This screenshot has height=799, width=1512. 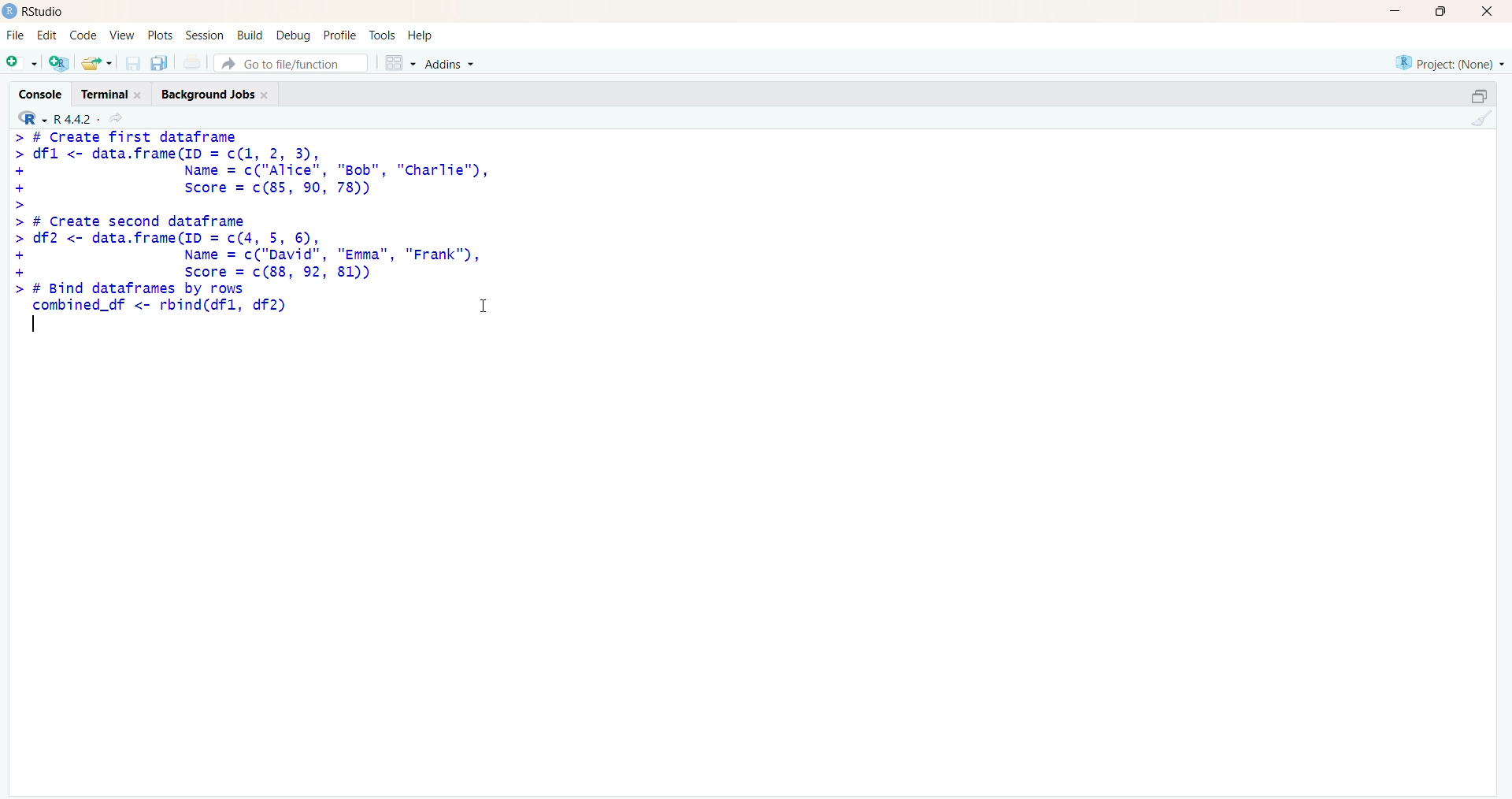 I want to click on Console, so click(x=39, y=93).